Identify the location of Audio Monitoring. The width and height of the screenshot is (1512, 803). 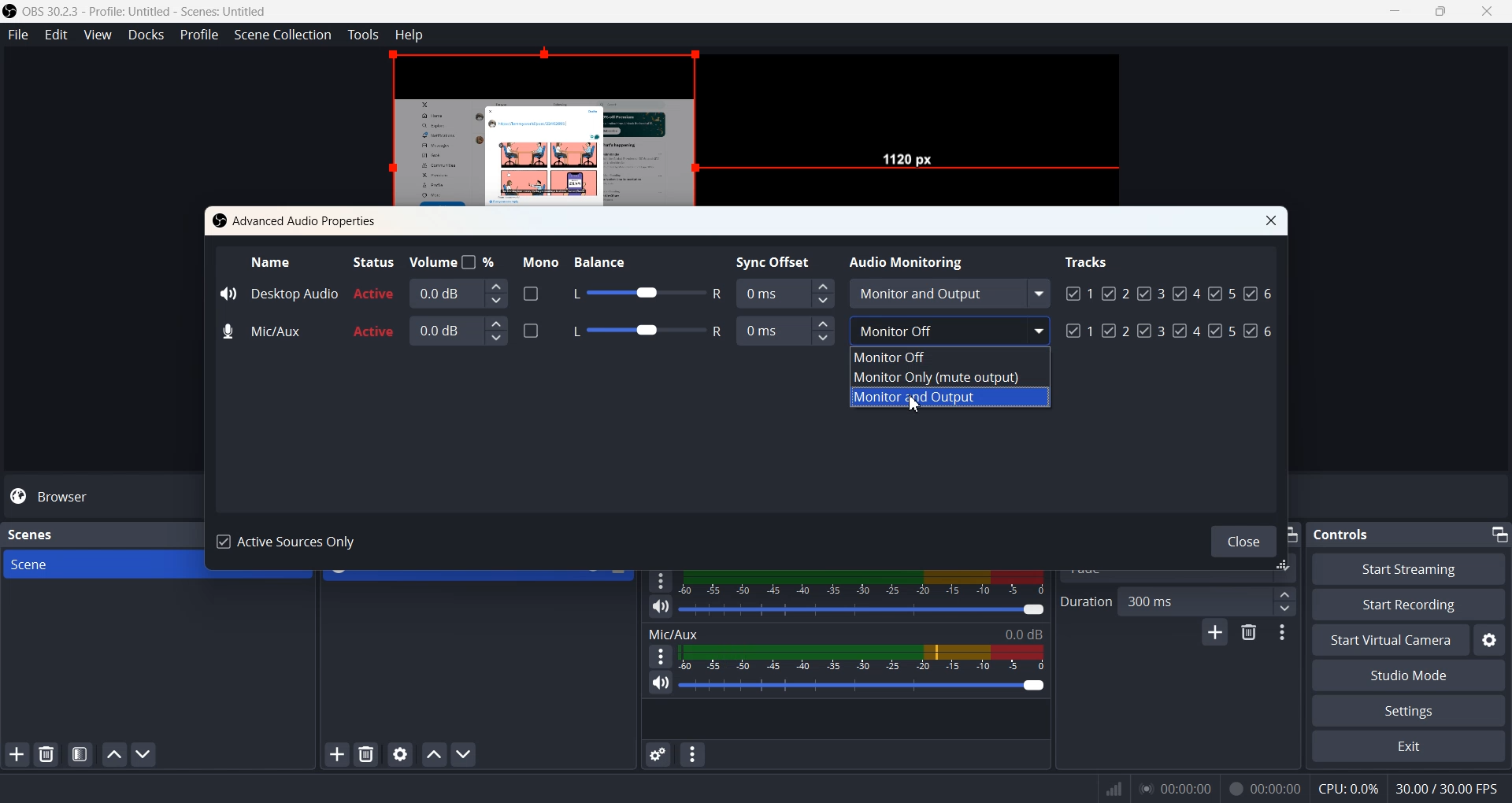
(910, 260).